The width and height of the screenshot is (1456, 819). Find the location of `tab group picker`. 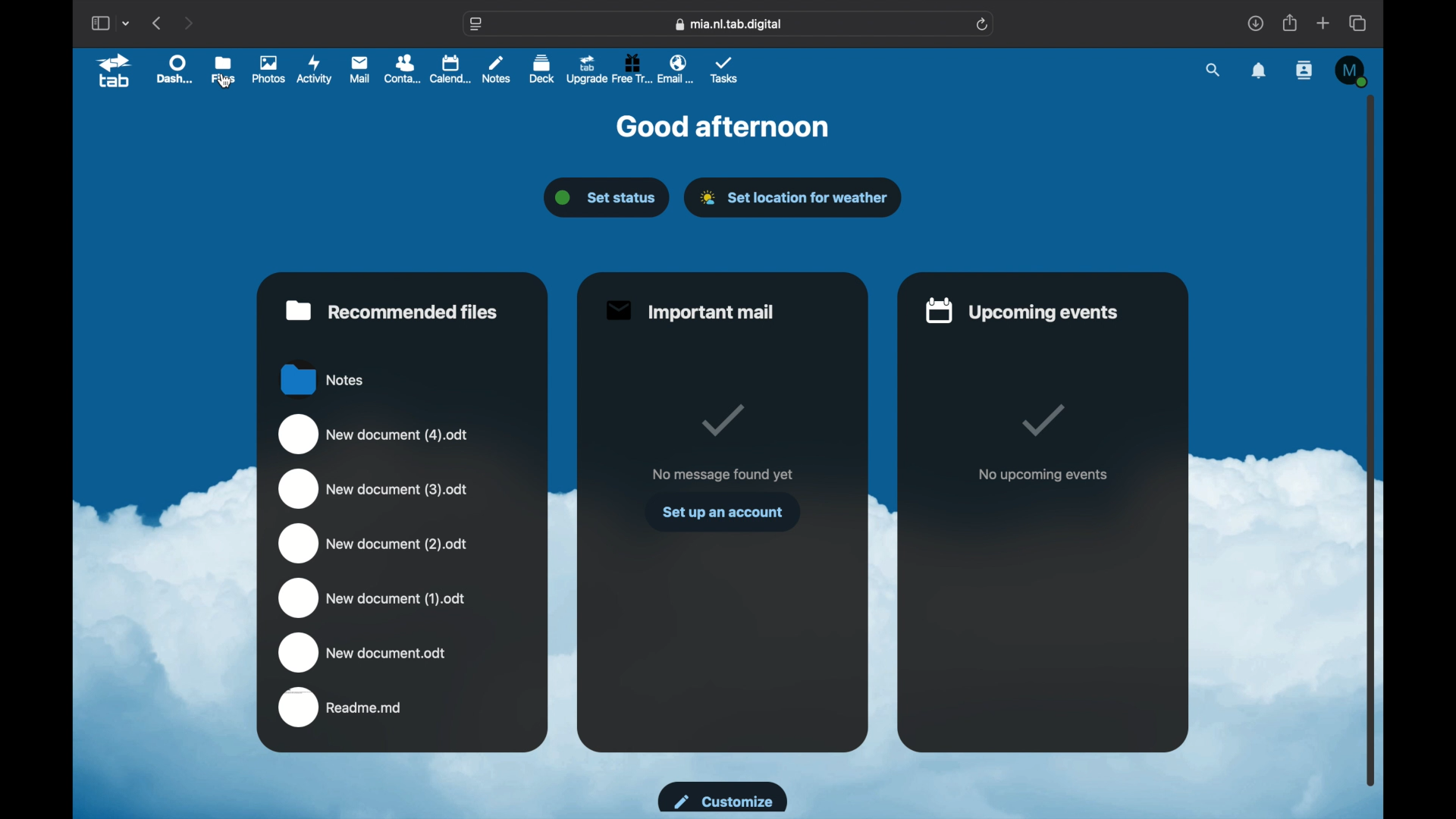

tab group picker is located at coordinates (126, 23).